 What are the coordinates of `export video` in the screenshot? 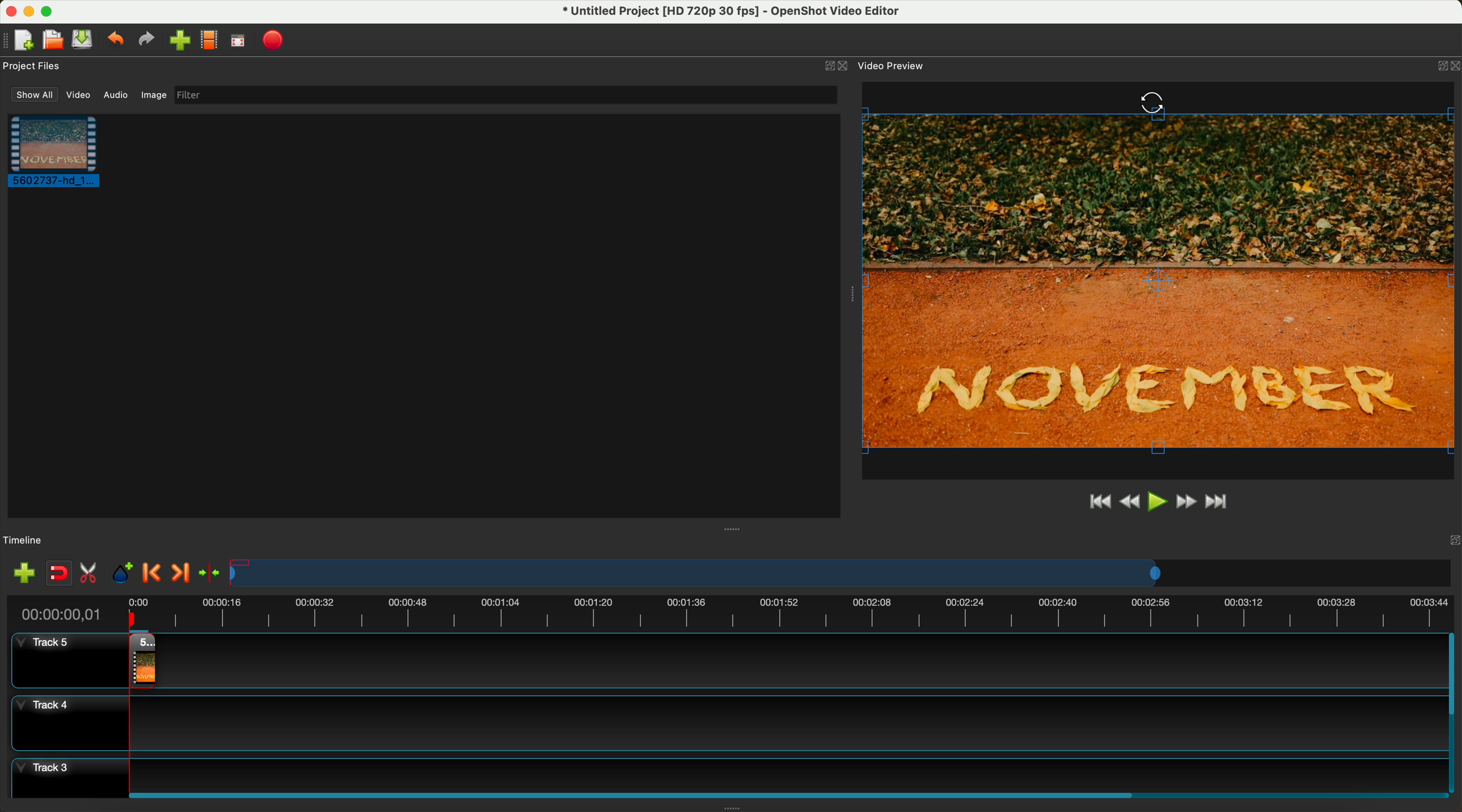 It's located at (274, 40).